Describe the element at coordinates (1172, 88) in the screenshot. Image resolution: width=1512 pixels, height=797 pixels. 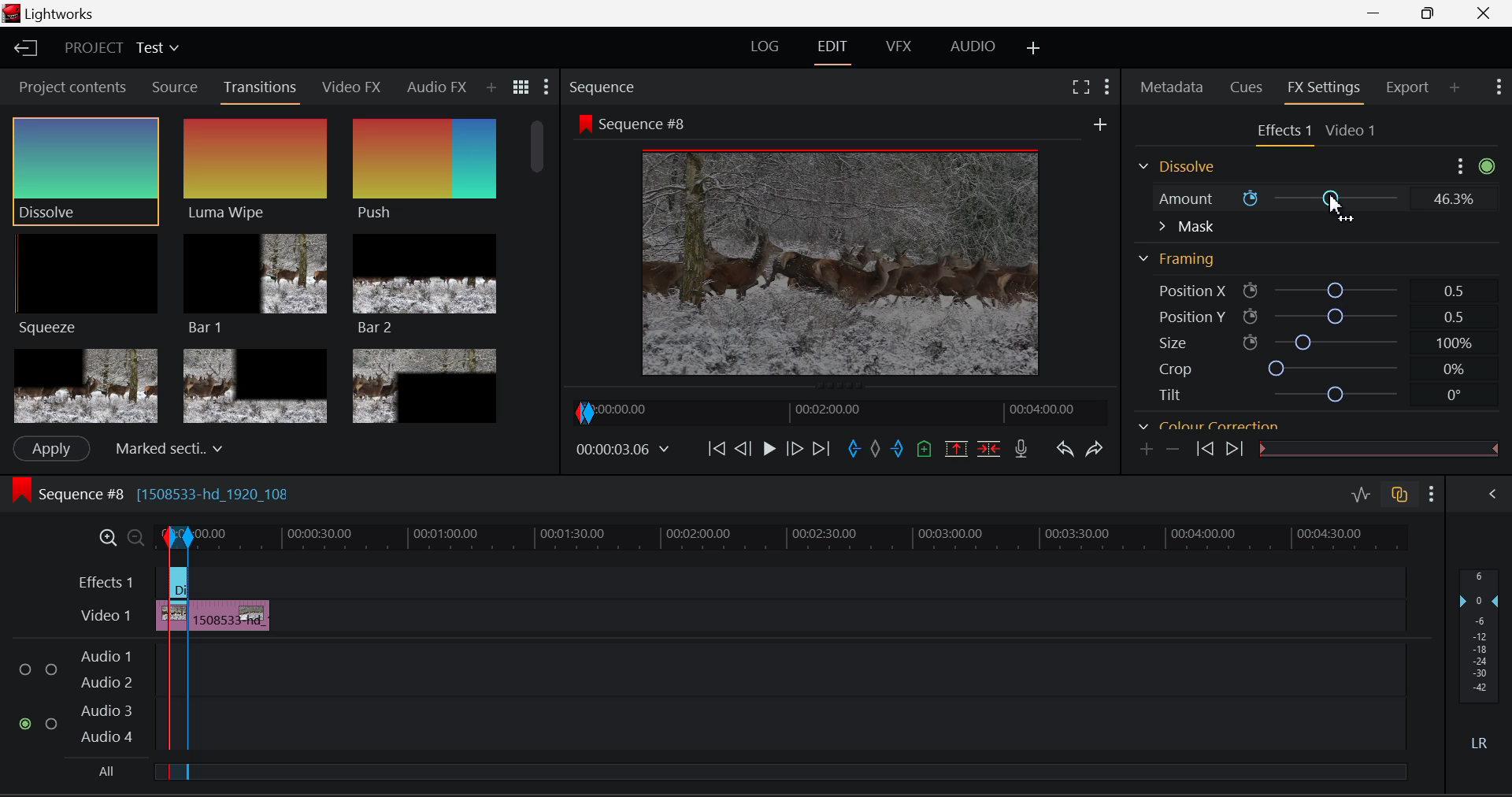
I see `Metadata` at that location.